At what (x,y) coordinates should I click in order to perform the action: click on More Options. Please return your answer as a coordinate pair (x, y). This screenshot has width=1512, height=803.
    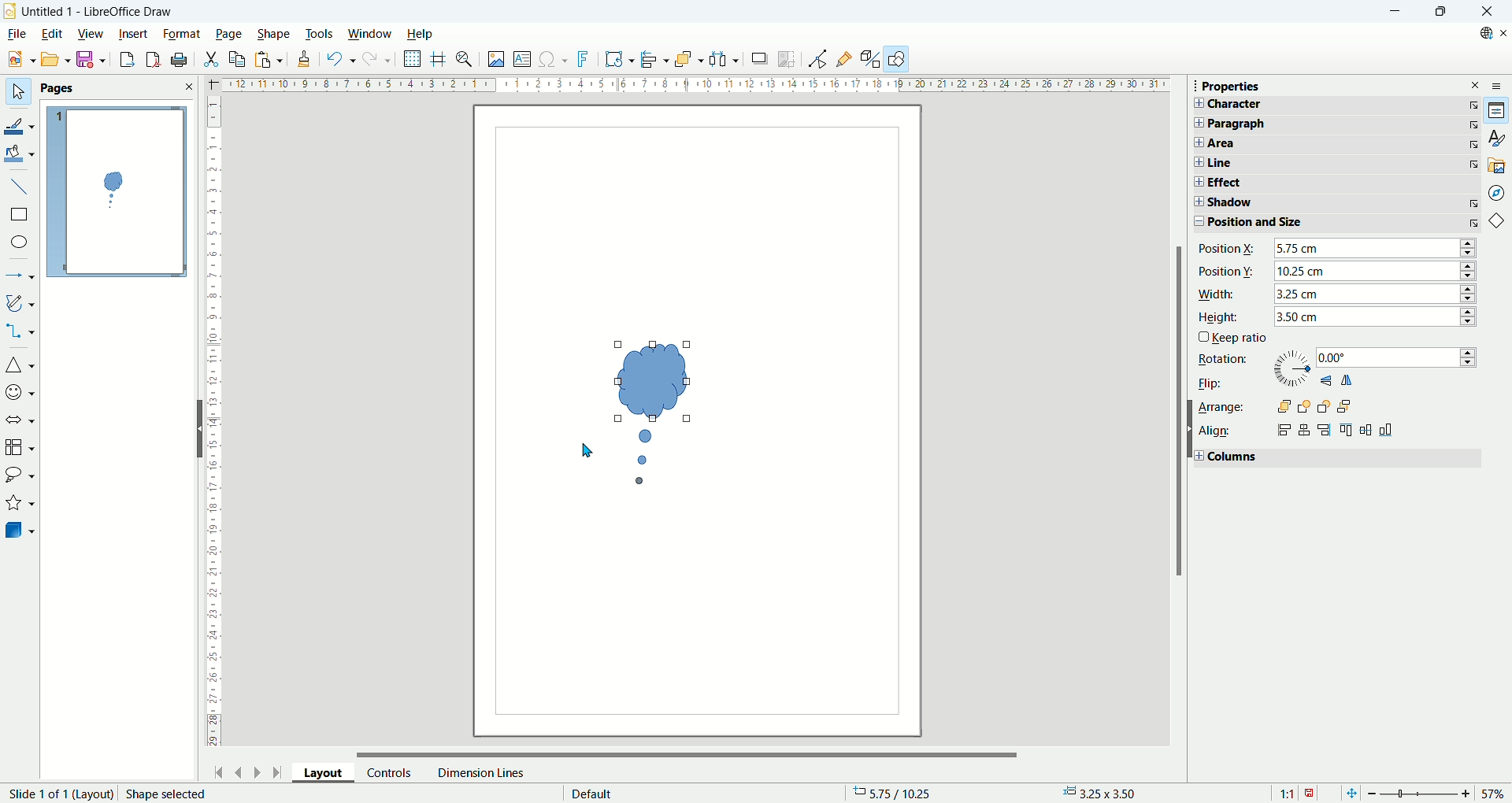
    Looking at the image, I should click on (1473, 204).